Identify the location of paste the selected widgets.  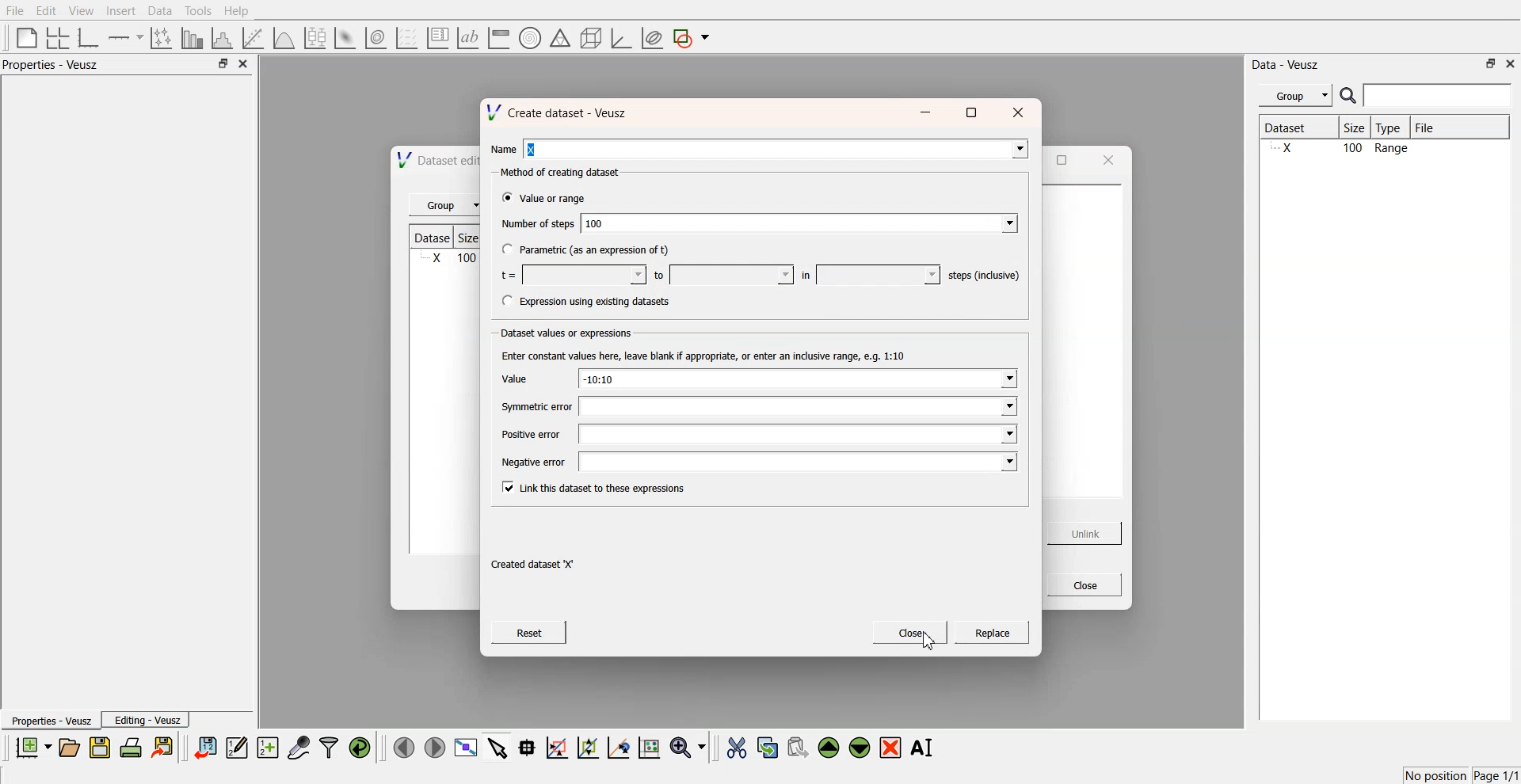
(796, 747).